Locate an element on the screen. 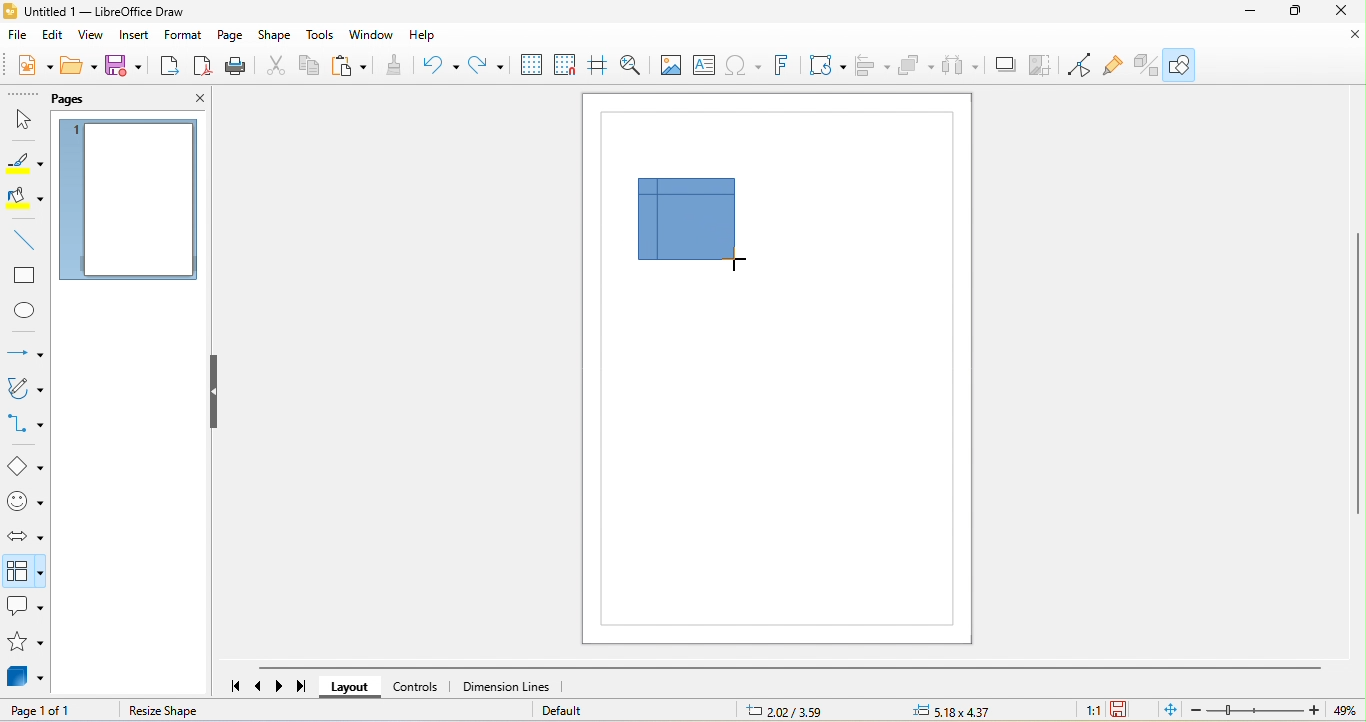  clone formatting is located at coordinates (396, 67).